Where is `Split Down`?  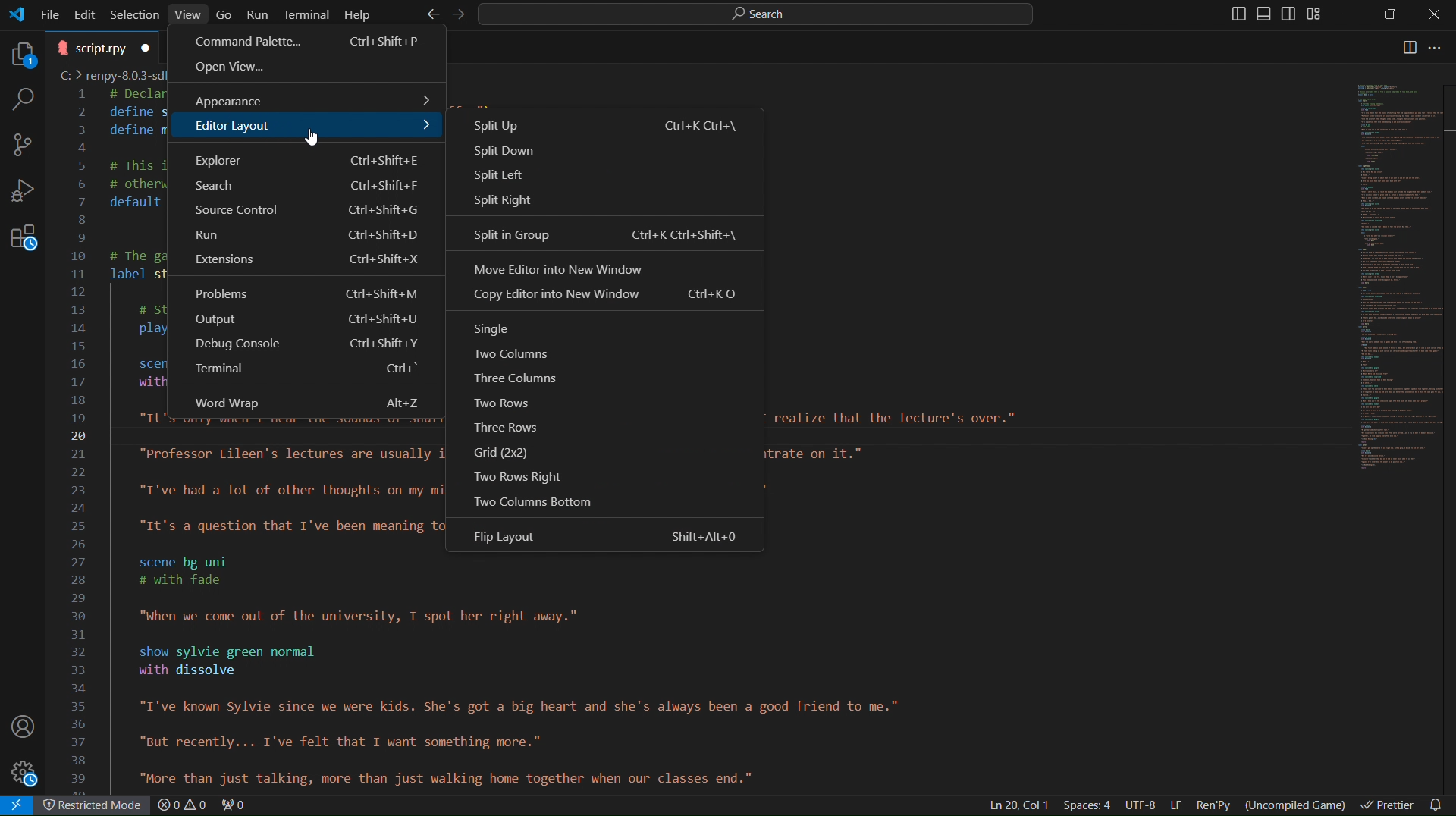 Split Down is located at coordinates (606, 154).